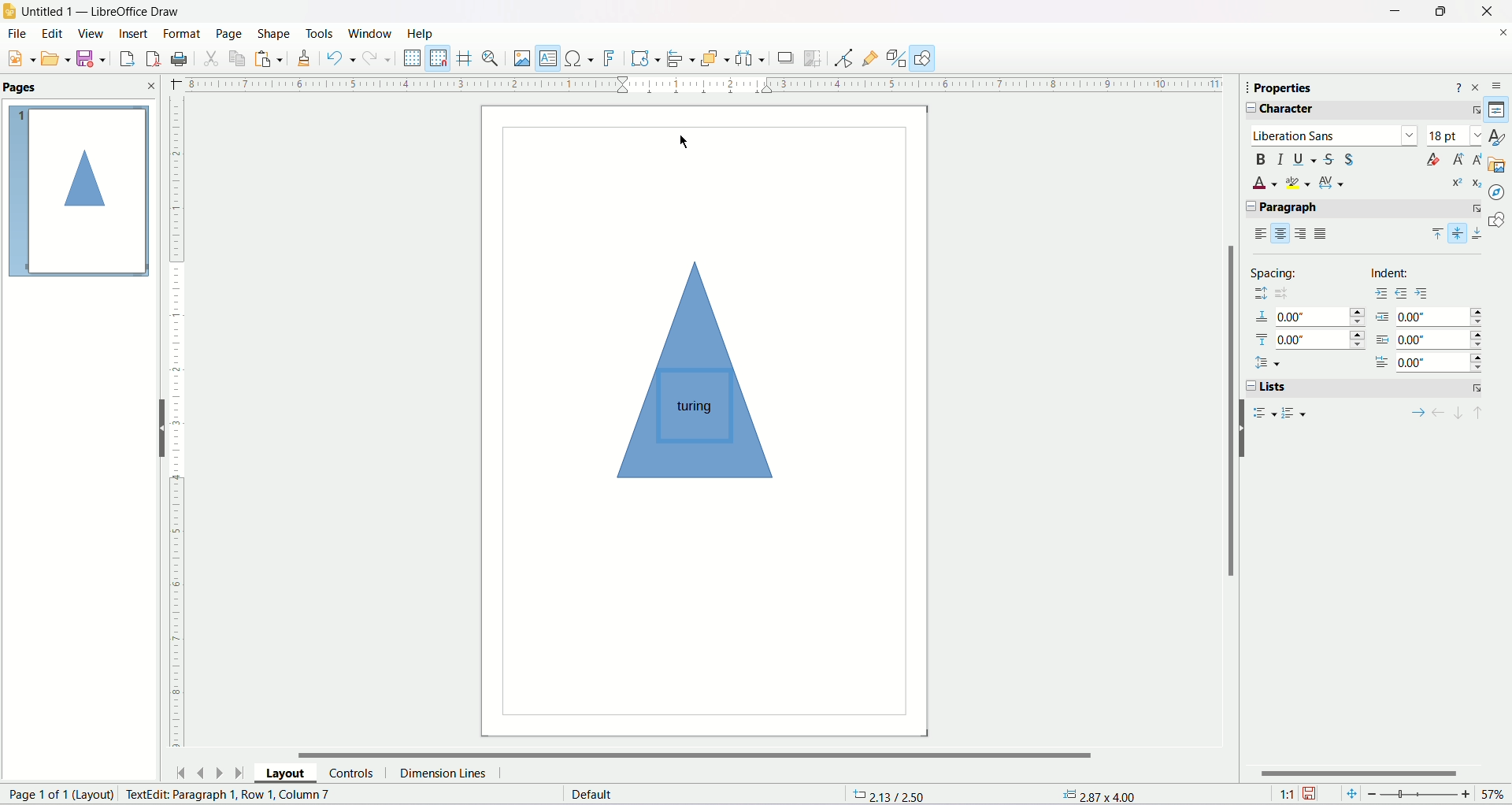  Describe the element at coordinates (439, 58) in the screenshot. I see `Snap to grid` at that location.